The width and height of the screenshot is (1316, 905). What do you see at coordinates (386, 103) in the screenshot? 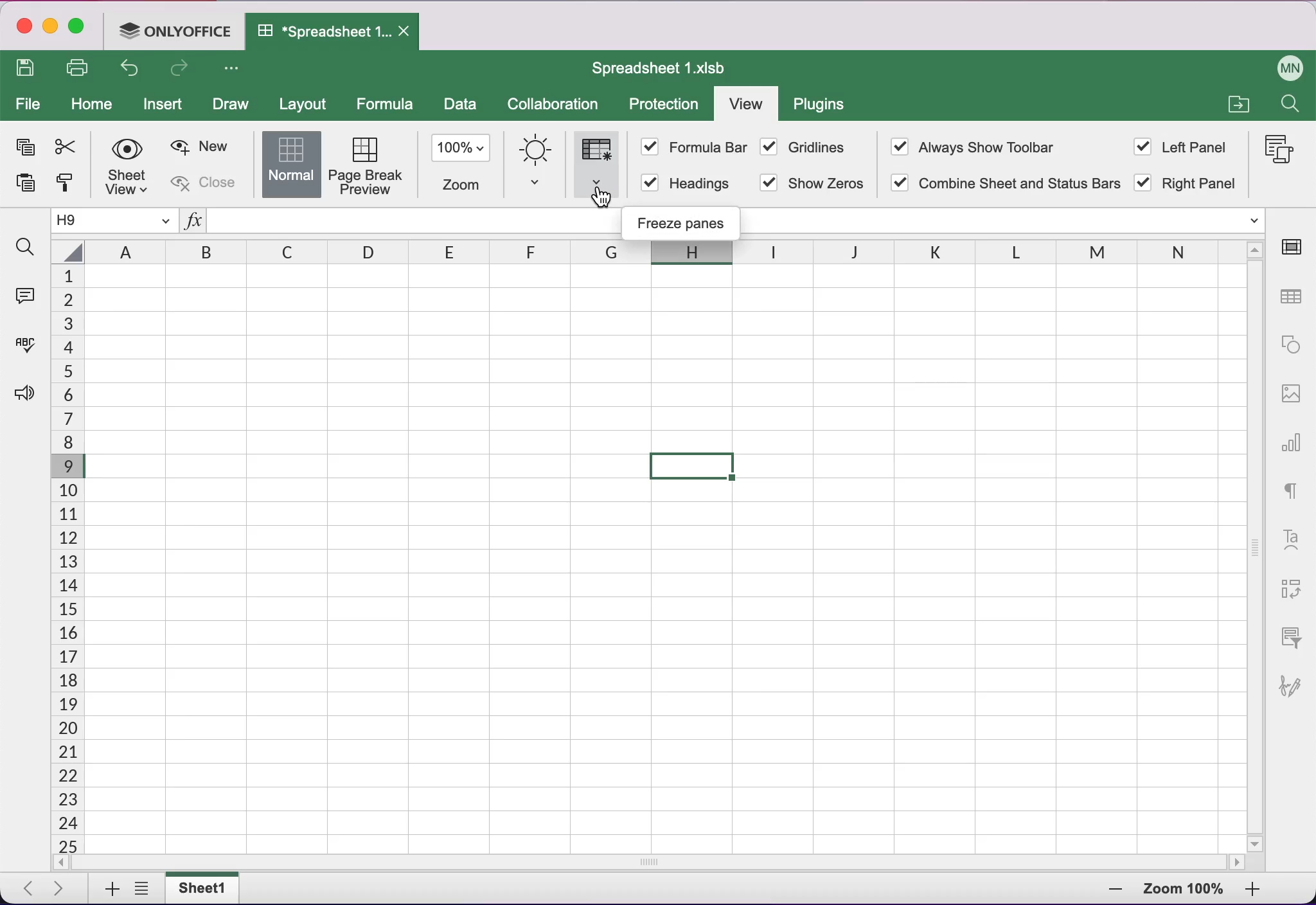
I see `formula` at bounding box center [386, 103].